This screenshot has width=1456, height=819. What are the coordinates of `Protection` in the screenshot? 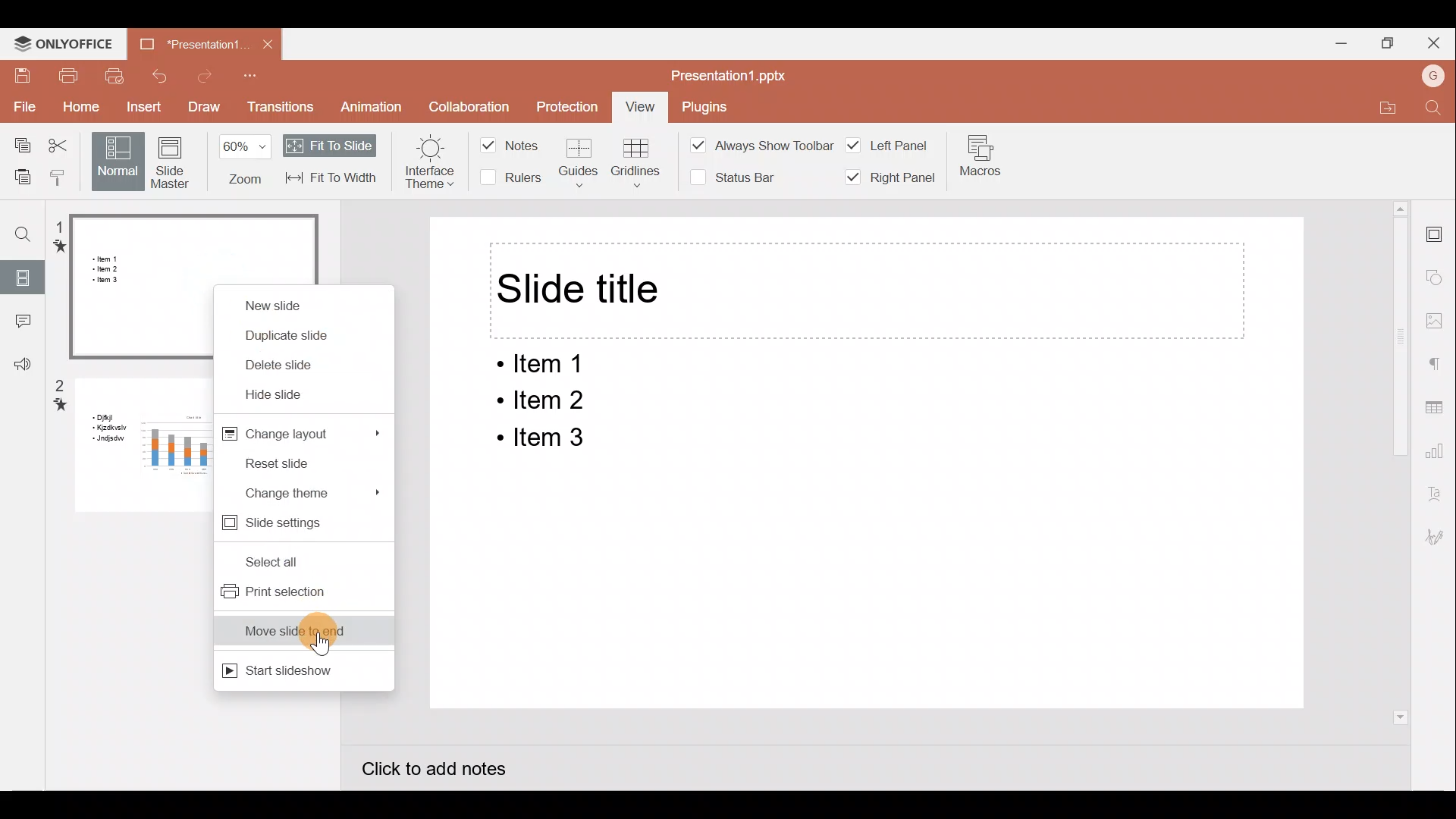 It's located at (565, 99).